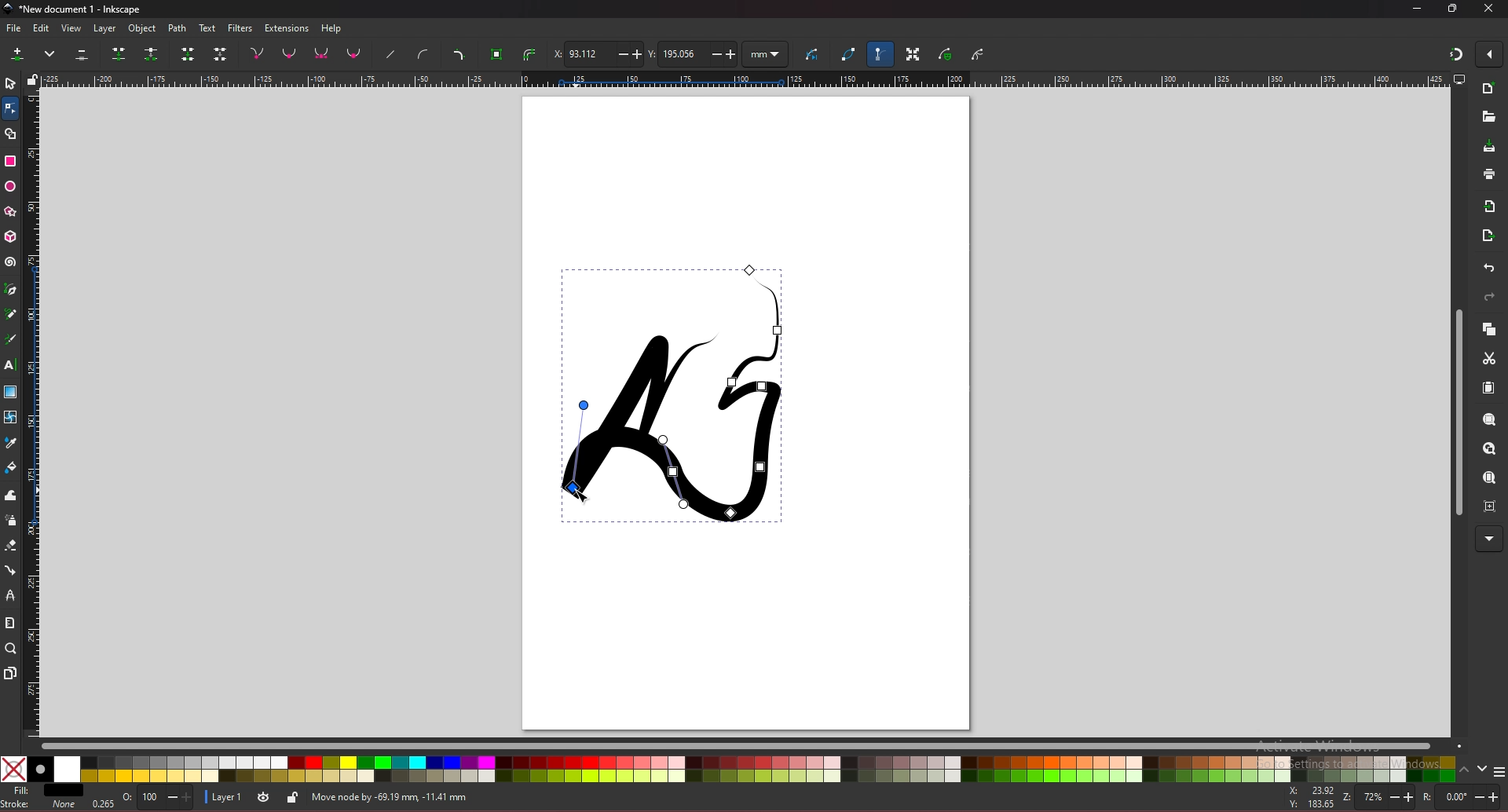  I want to click on more, so click(1488, 539).